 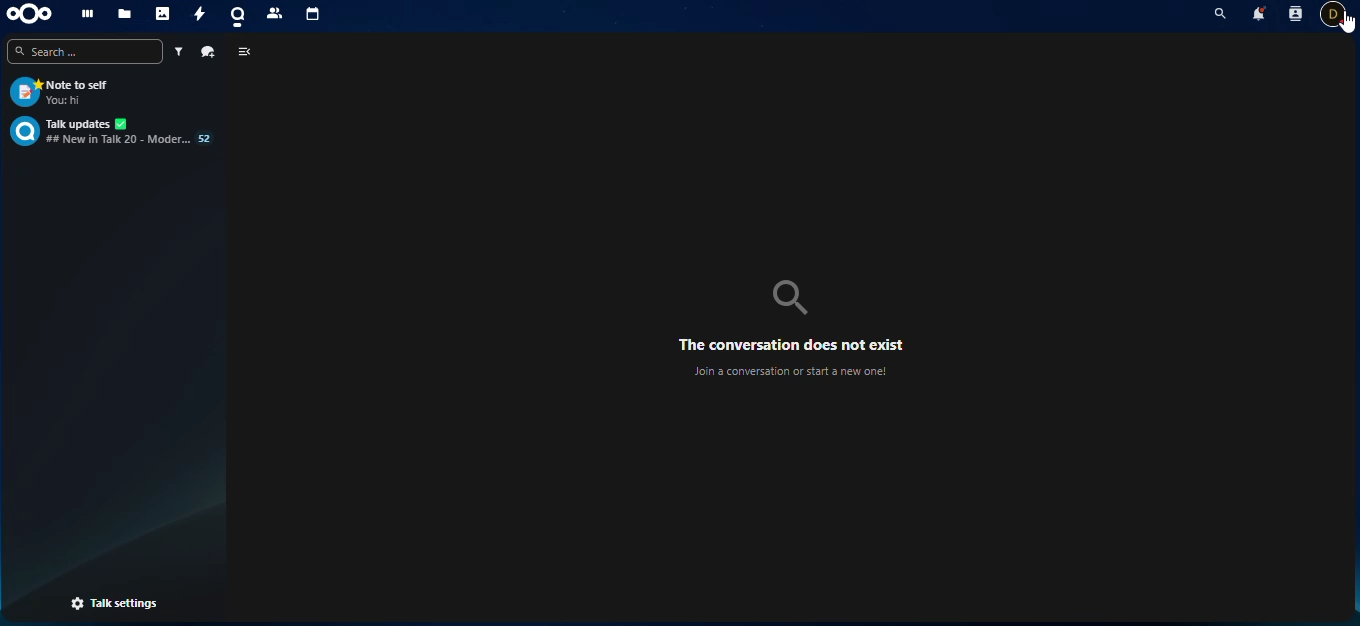 What do you see at coordinates (1296, 14) in the screenshot?
I see `contacts` at bounding box center [1296, 14].